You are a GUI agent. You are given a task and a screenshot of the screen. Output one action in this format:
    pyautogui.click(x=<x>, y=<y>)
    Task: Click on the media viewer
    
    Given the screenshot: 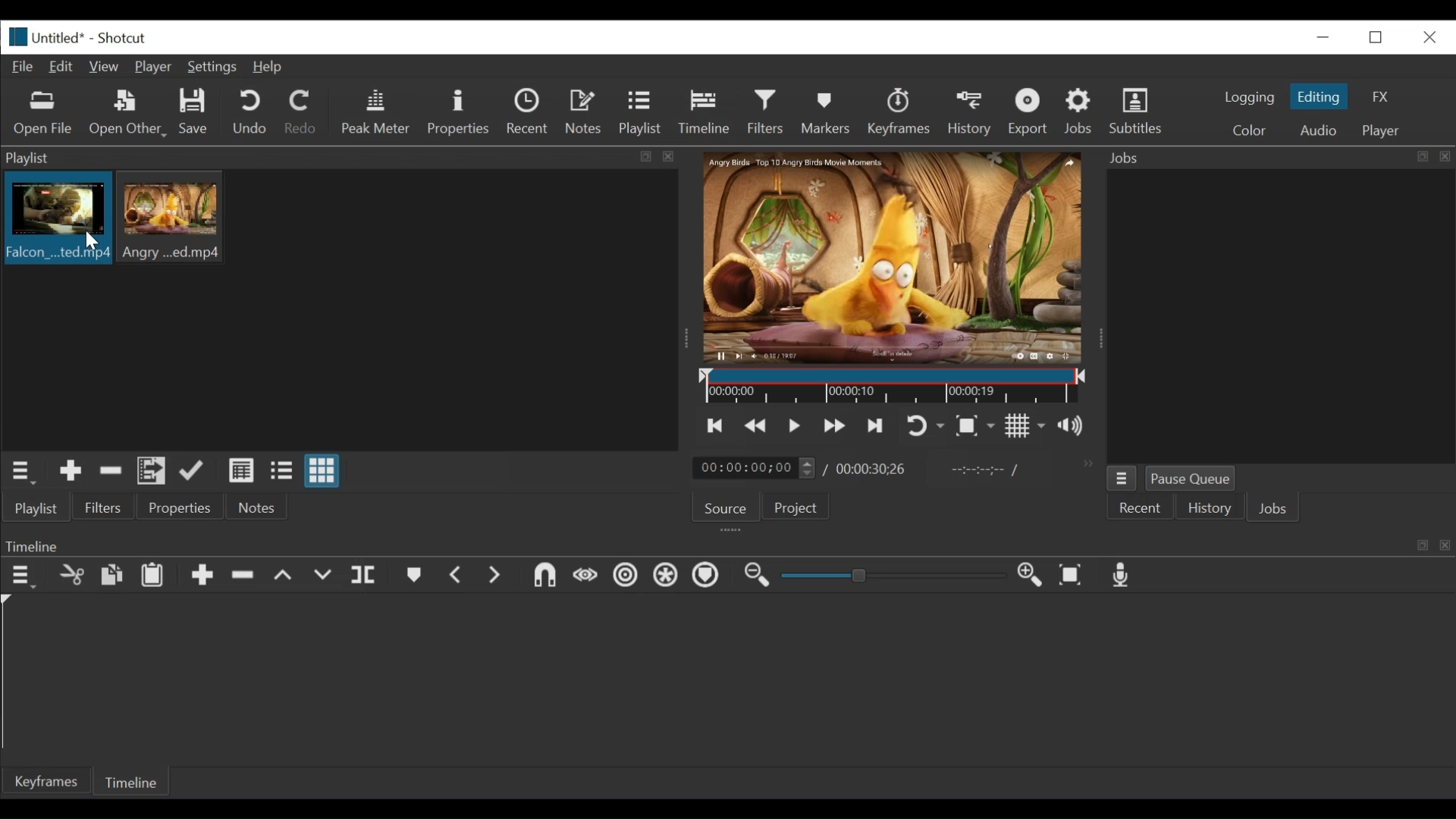 What is the action you would take?
    pyautogui.click(x=890, y=257)
    